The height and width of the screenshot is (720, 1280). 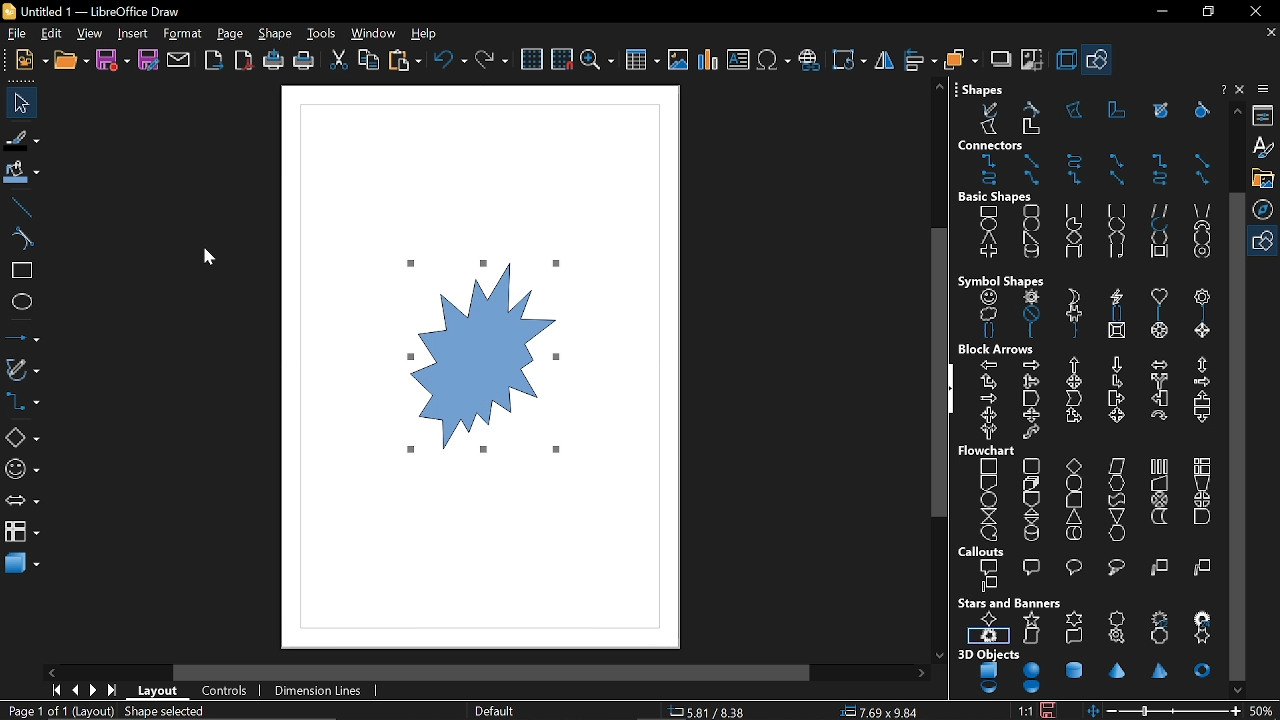 What do you see at coordinates (58, 692) in the screenshot?
I see `go to first page` at bounding box center [58, 692].